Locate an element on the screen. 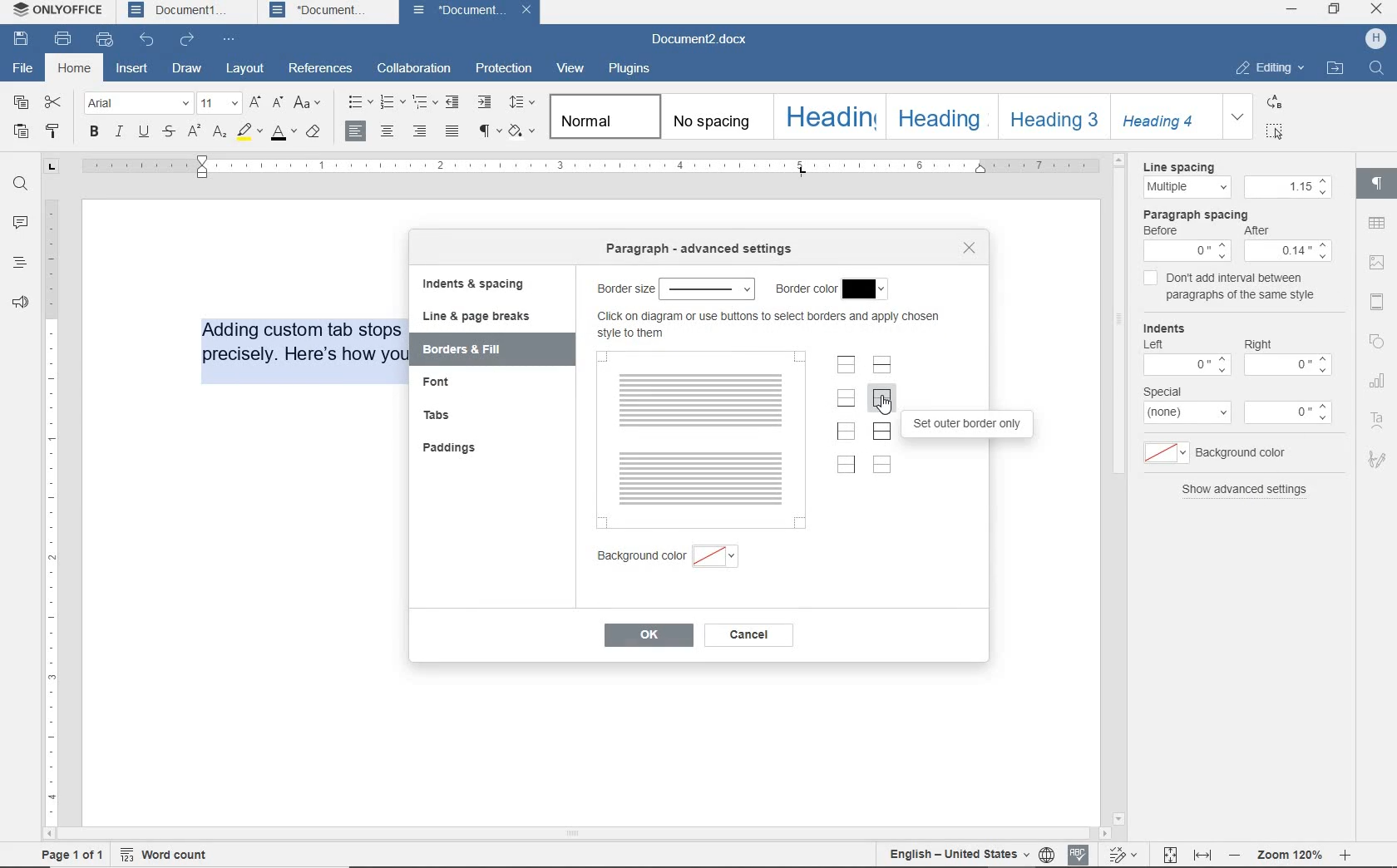  search is located at coordinates (1376, 72).